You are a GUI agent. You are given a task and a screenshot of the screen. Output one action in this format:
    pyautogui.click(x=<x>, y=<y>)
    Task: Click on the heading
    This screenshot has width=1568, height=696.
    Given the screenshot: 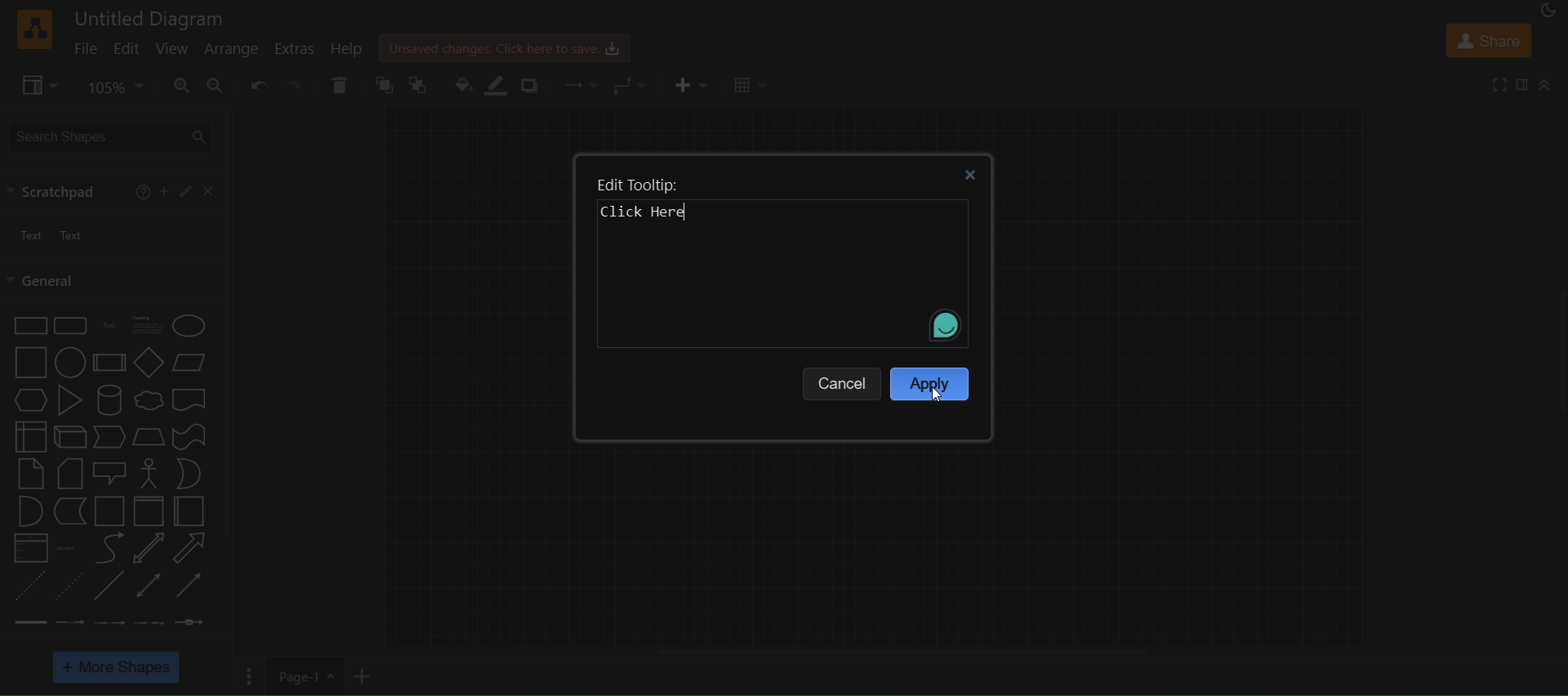 What is the action you would take?
    pyautogui.click(x=149, y=326)
    